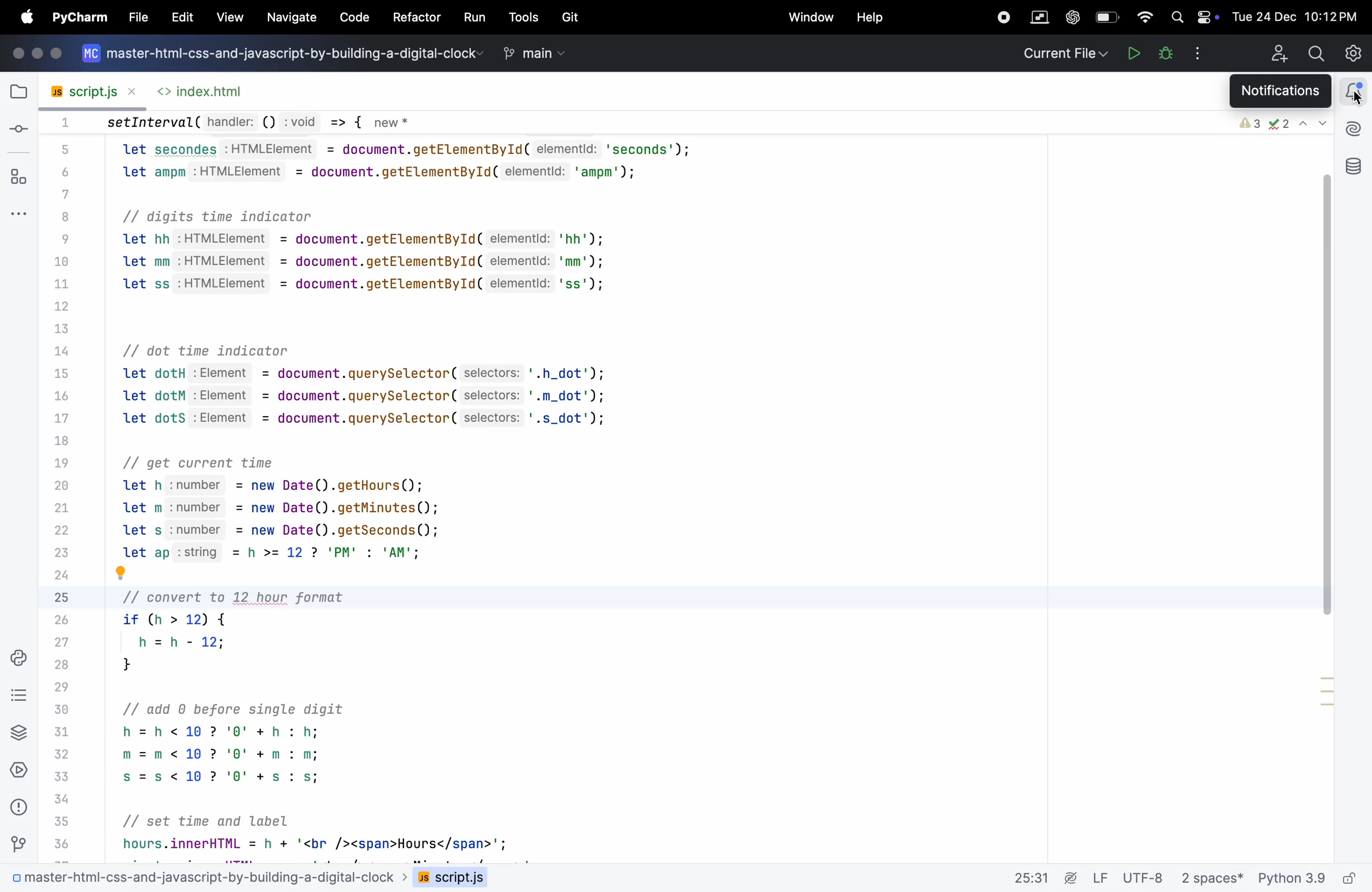 This screenshot has width=1372, height=892. What do you see at coordinates (1162, 54) in the screenshot?
I see `bugs` at bounding box center [1162, 54].